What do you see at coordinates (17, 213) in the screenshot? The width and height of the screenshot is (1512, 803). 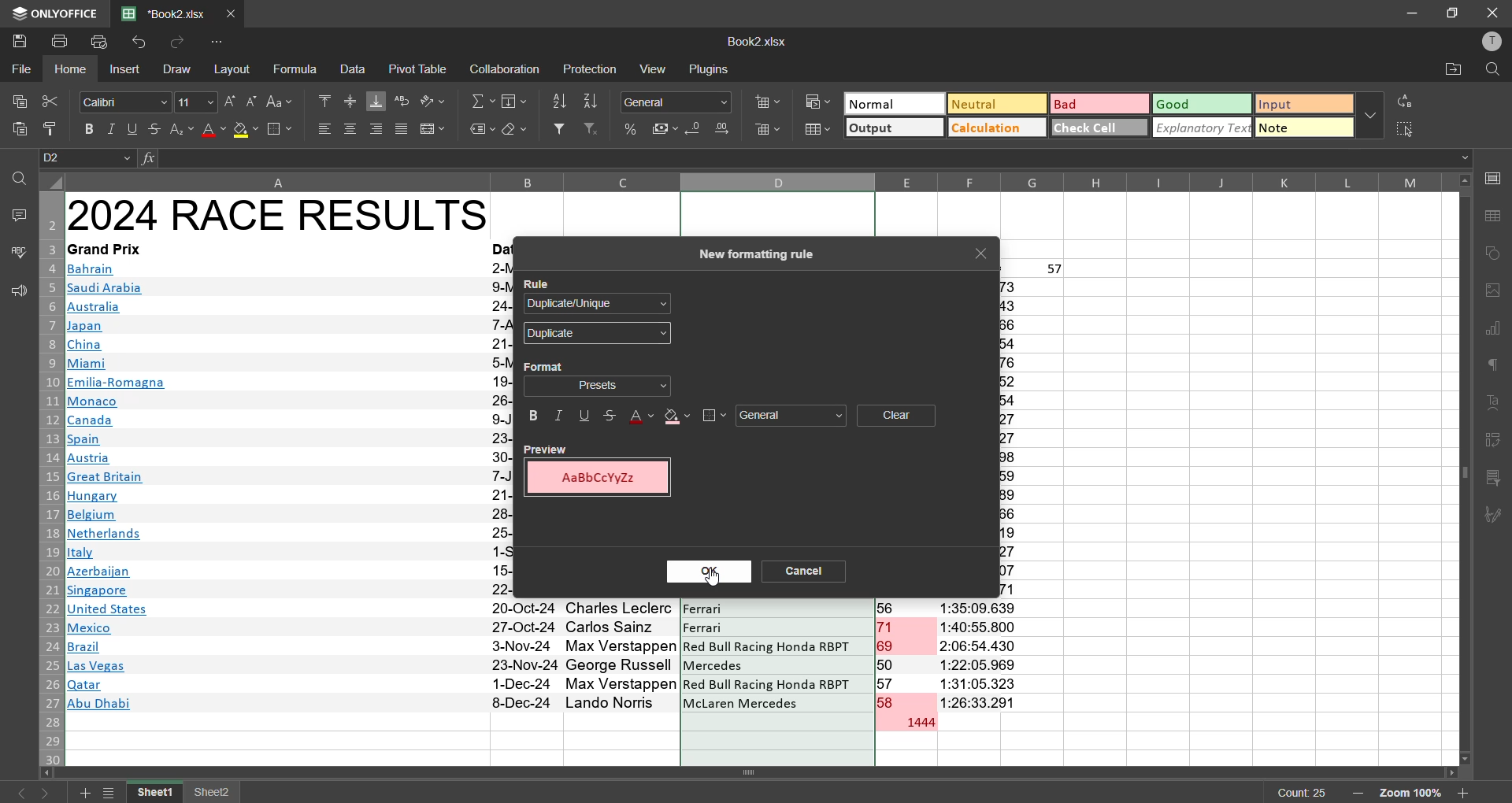 I see `comments` at bounding box center [17, 213].